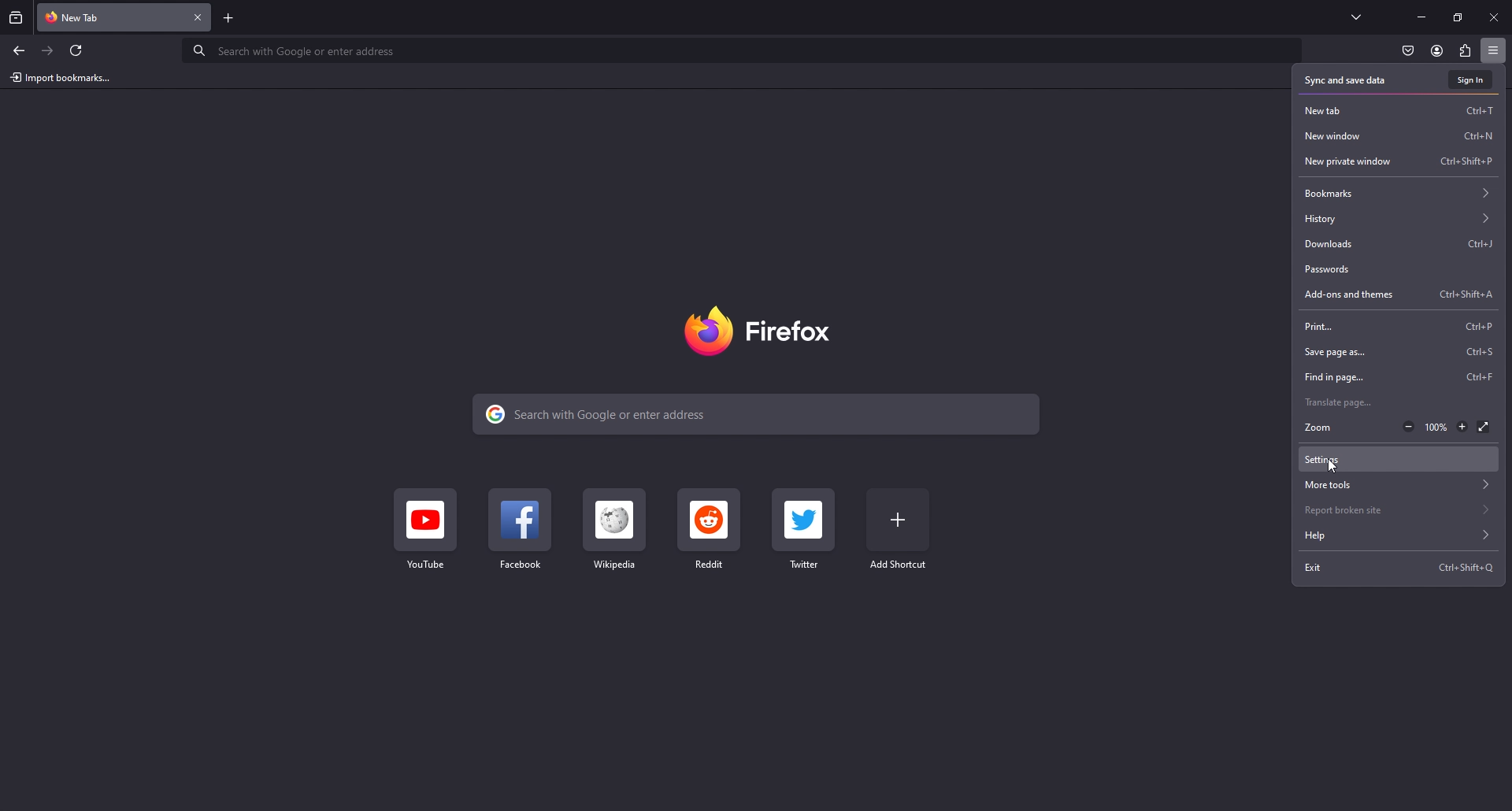  What do you see at coordinates (1399, 509) in the screenshot?
I see `report` at bounding box center [1399, 509].